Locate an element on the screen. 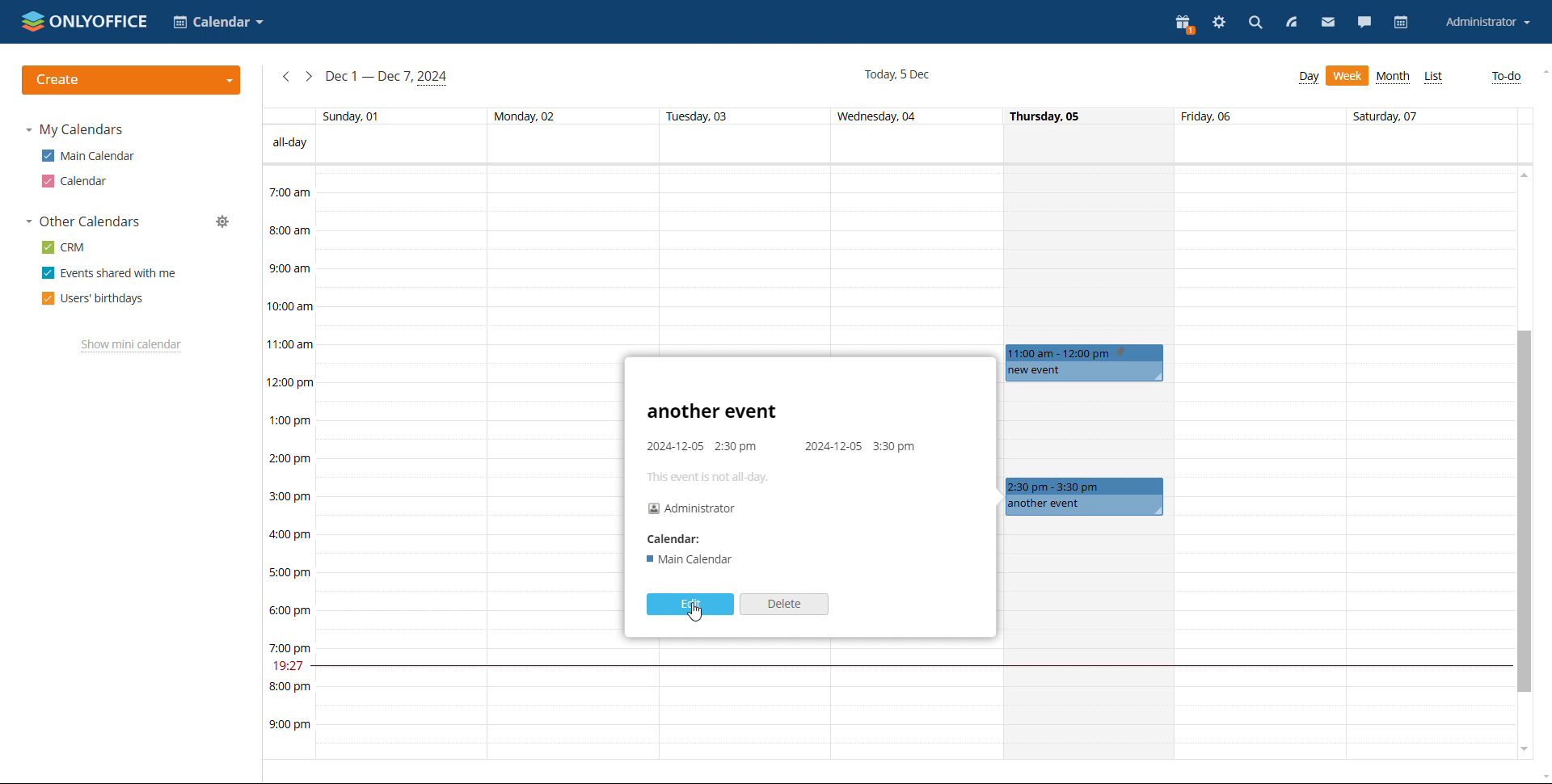 The image size is (1552, 784). 8:00 pm is located at coordinates (289, 687).